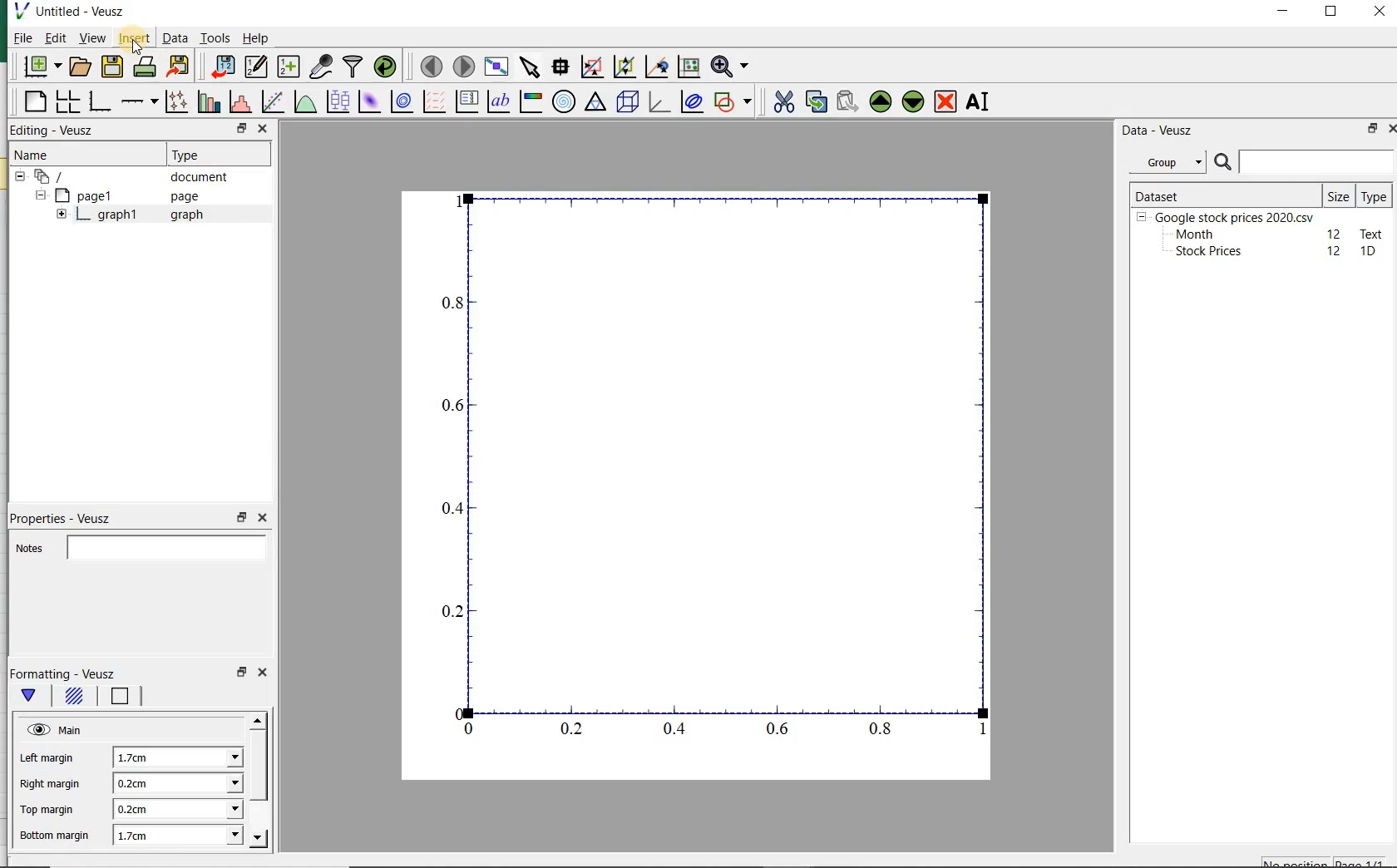 This screenshot has width=1397, height=868. I want to click on view plot full screen, so click(496, 67).